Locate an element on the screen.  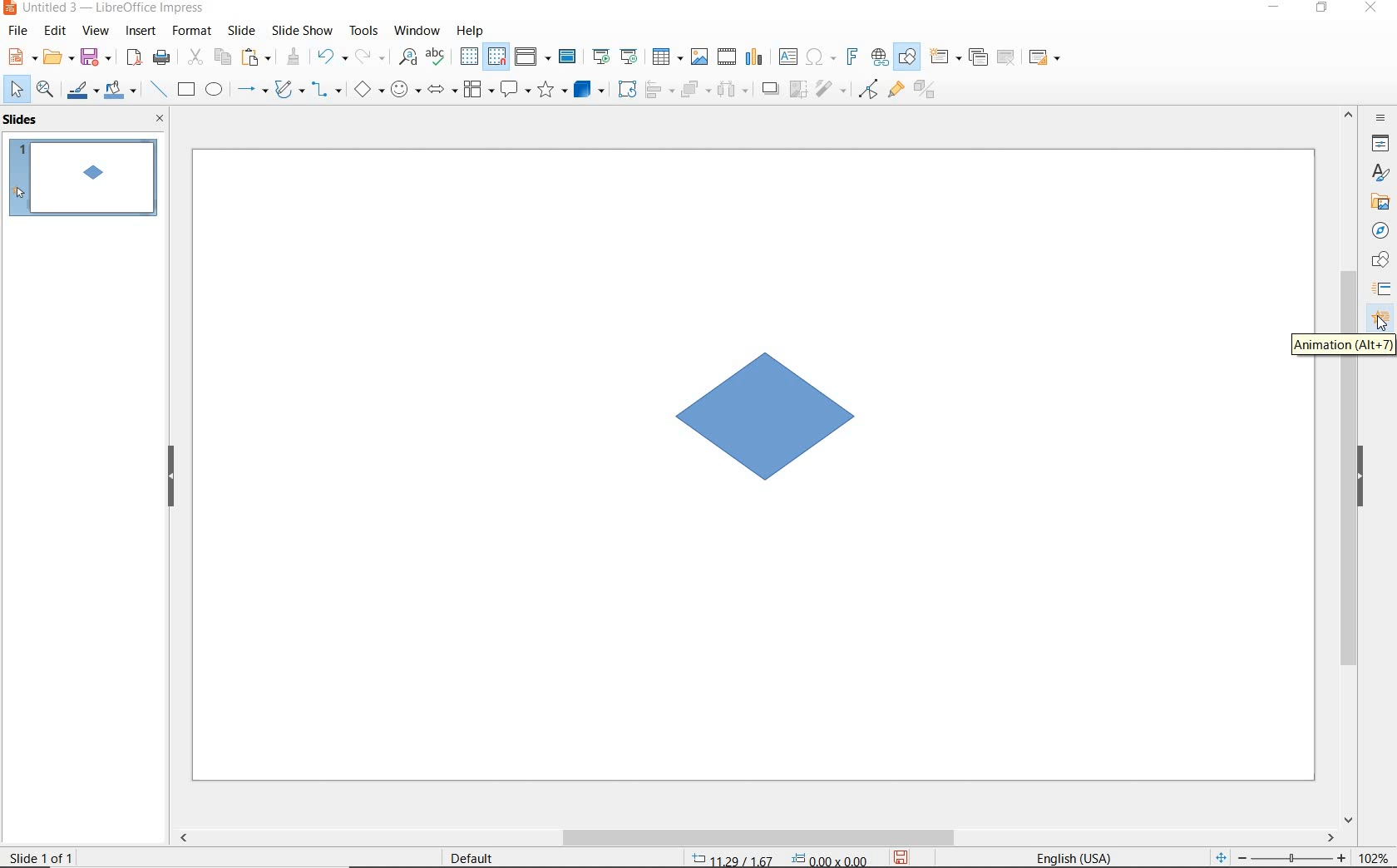
slide layout is located at coordinates (1044, 57).